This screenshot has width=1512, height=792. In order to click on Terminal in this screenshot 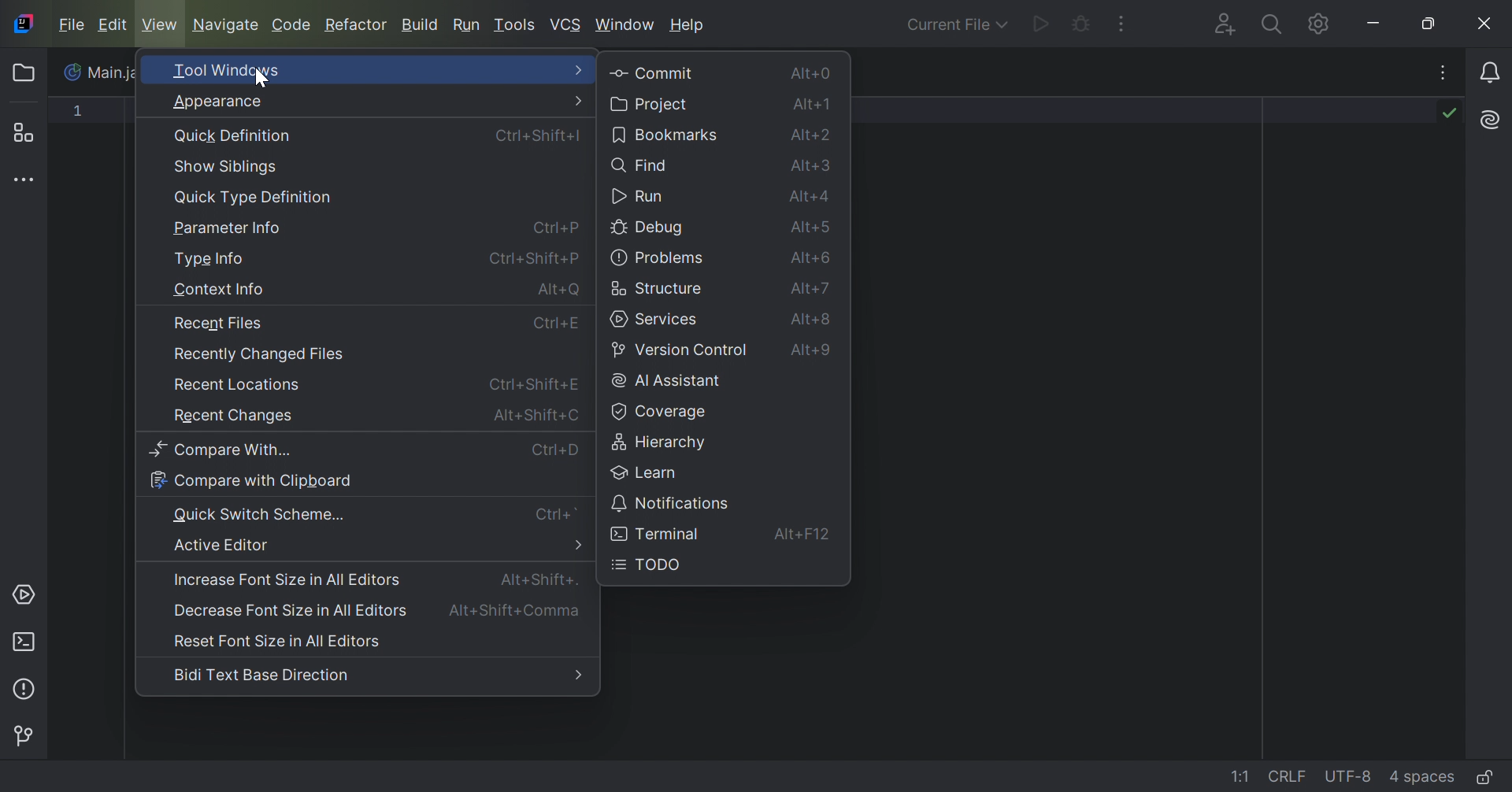, I will do `click(24, 639)`.